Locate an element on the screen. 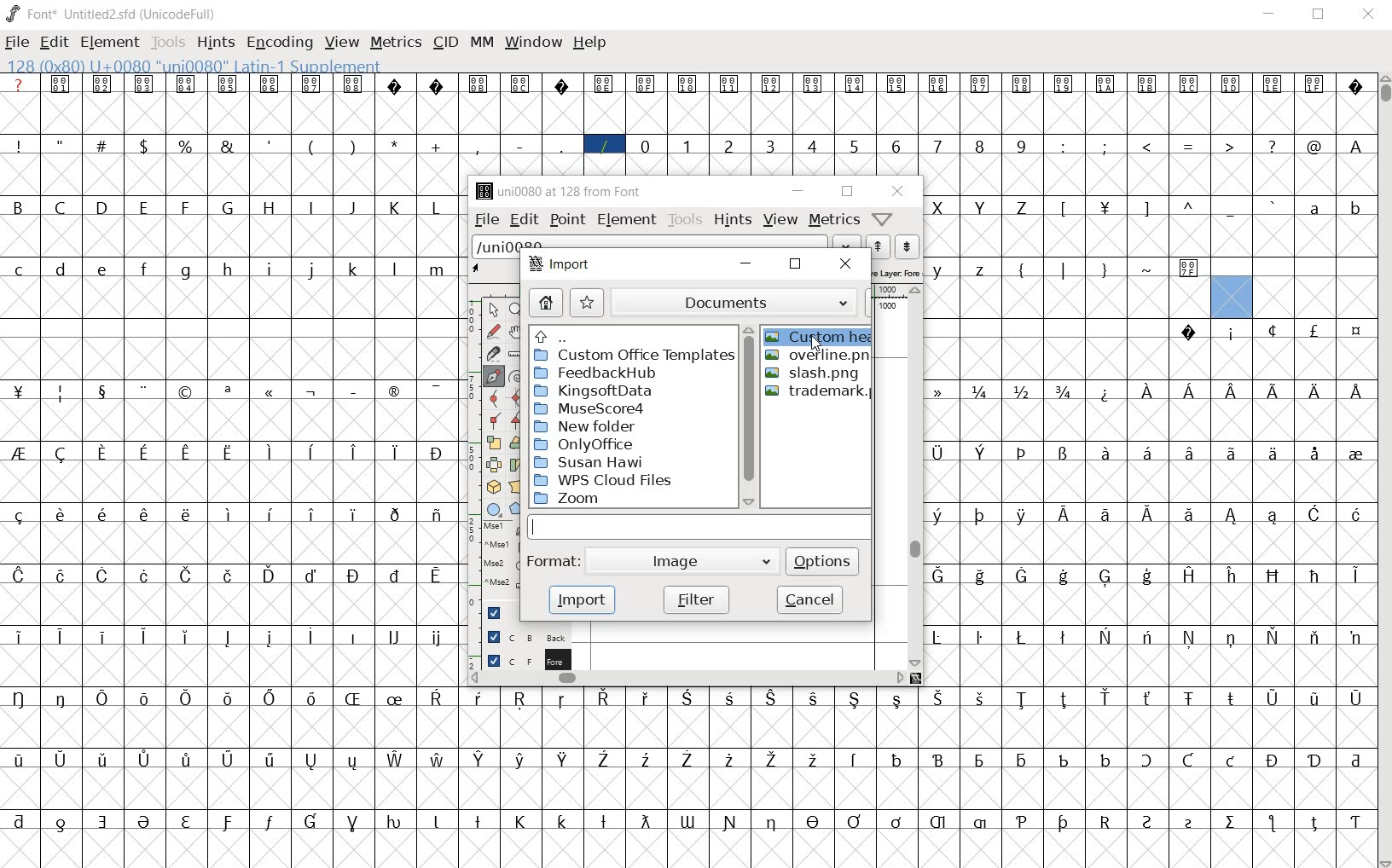  glyph is located at coordinates (1316, 454).